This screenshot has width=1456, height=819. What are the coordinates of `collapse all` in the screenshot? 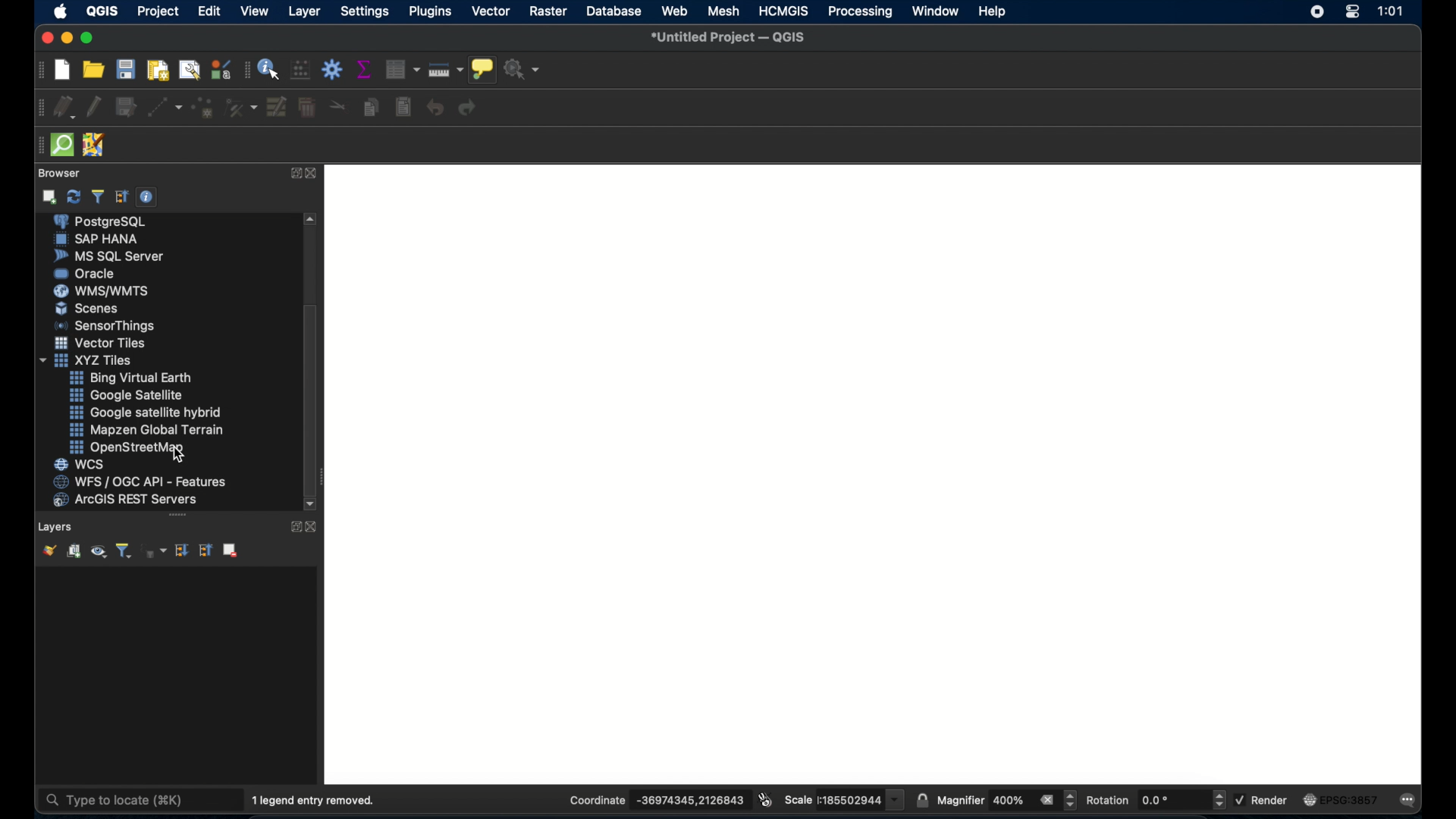 It's located at (205, 551).